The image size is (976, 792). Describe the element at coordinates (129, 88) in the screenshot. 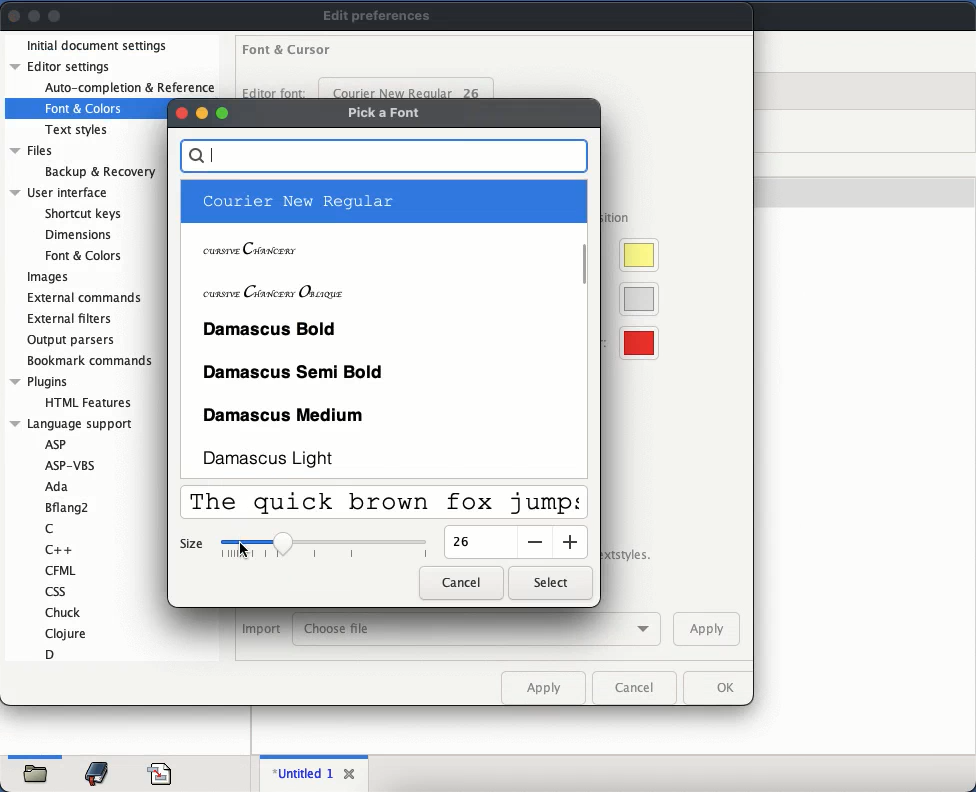

I see `auto completion` at that location.